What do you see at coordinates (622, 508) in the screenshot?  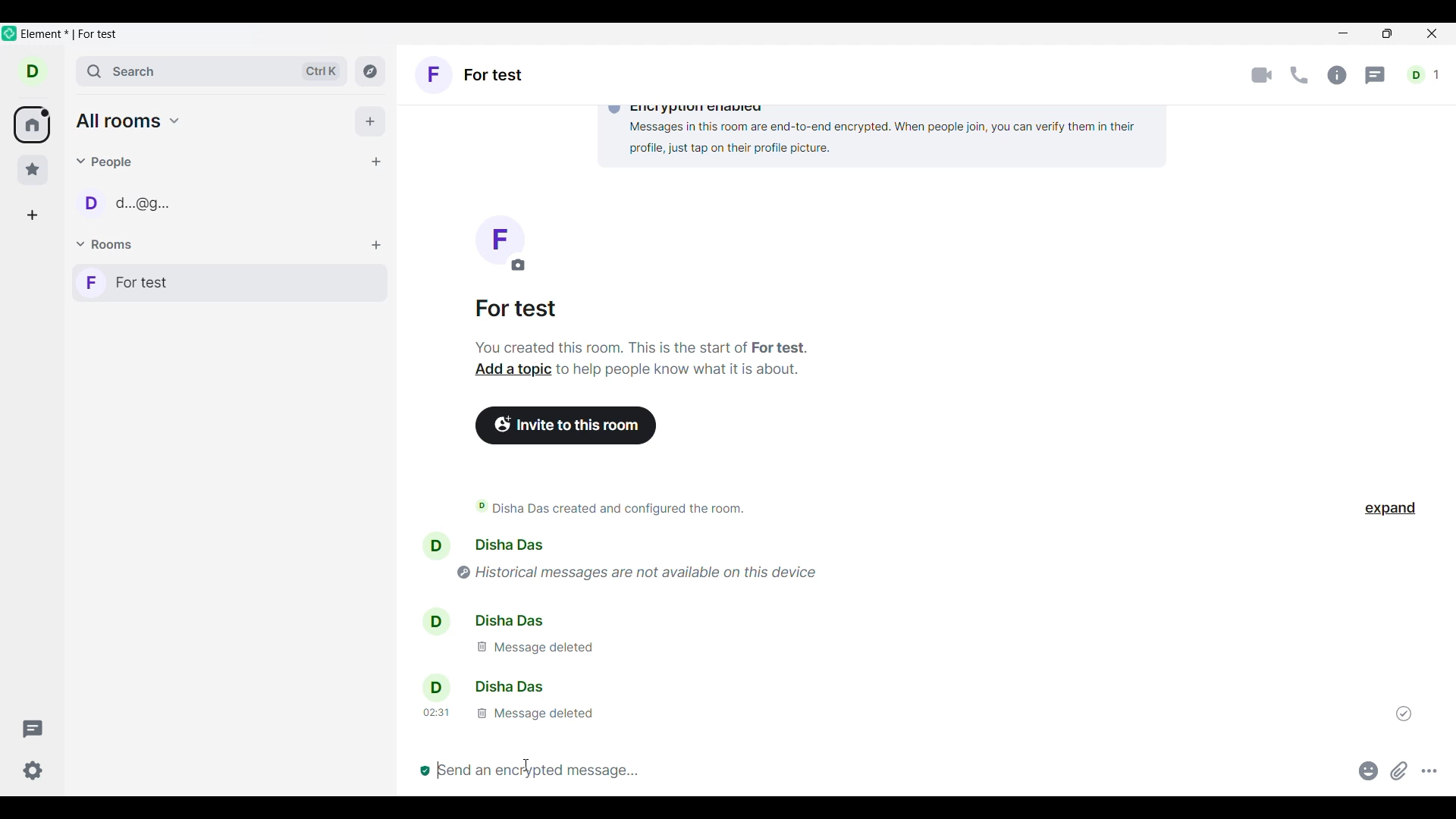 I see `Disha Das created and configured the room.` at bounding box center [622, 508].